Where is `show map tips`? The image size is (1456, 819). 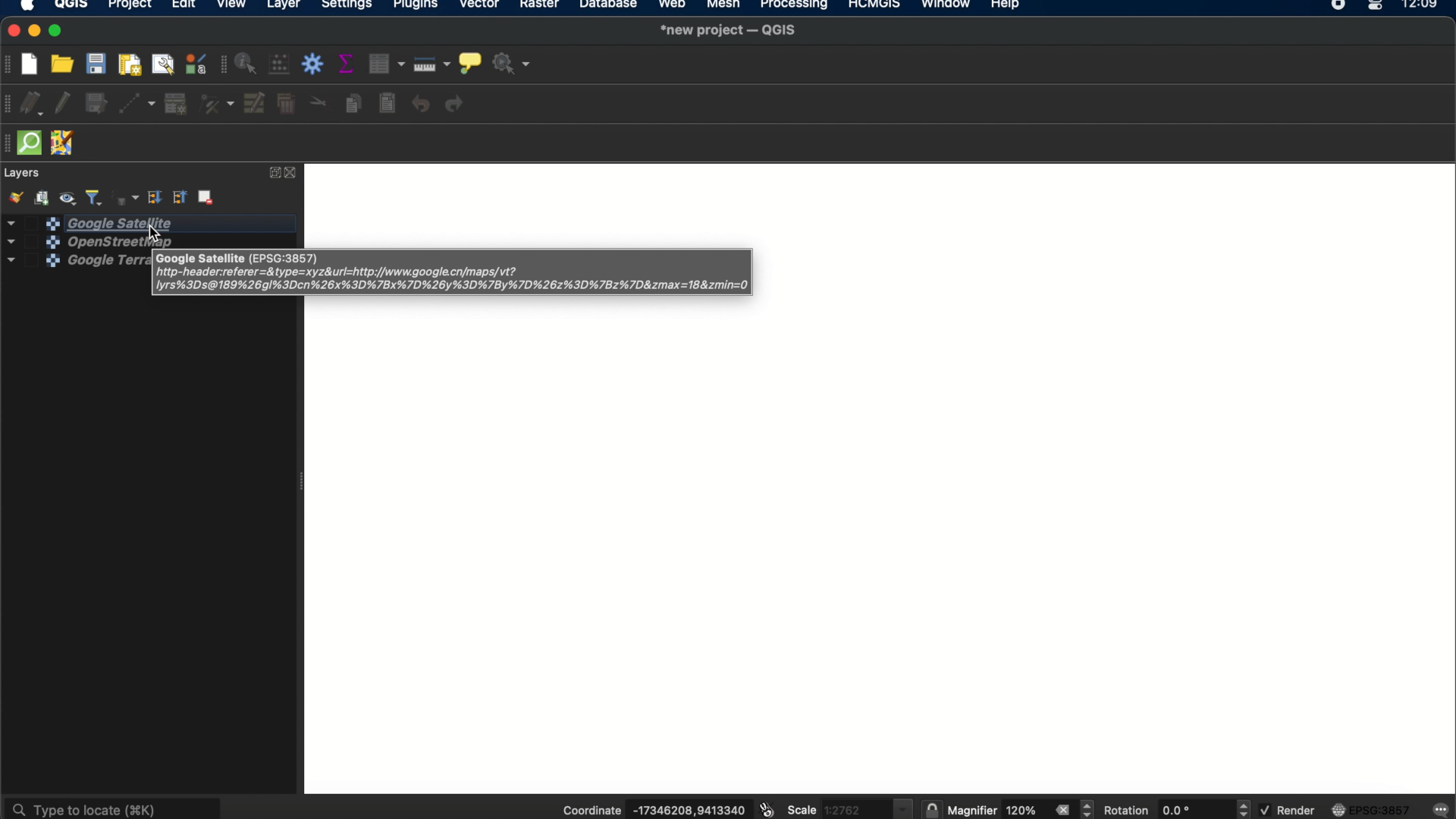 show map tips is located at coordinates (469, 61).